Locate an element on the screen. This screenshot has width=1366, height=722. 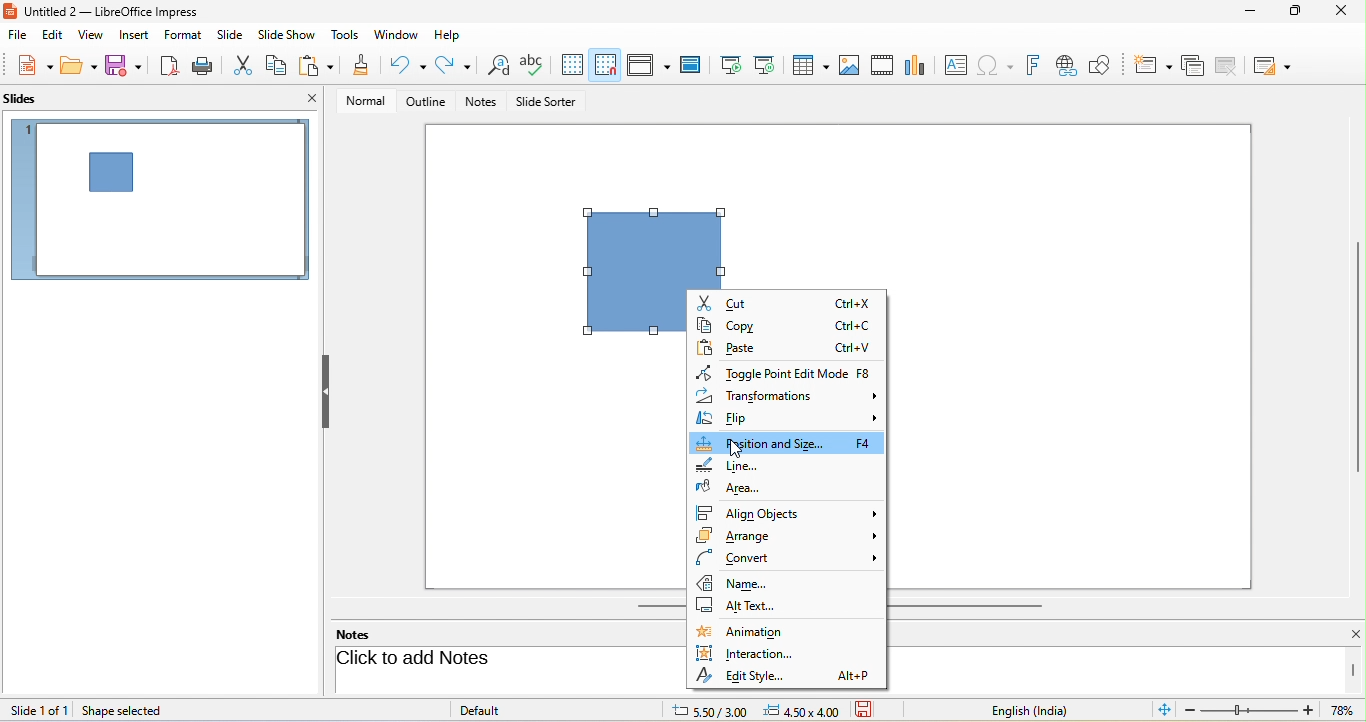
arrange is located at coordinates (788, 536).